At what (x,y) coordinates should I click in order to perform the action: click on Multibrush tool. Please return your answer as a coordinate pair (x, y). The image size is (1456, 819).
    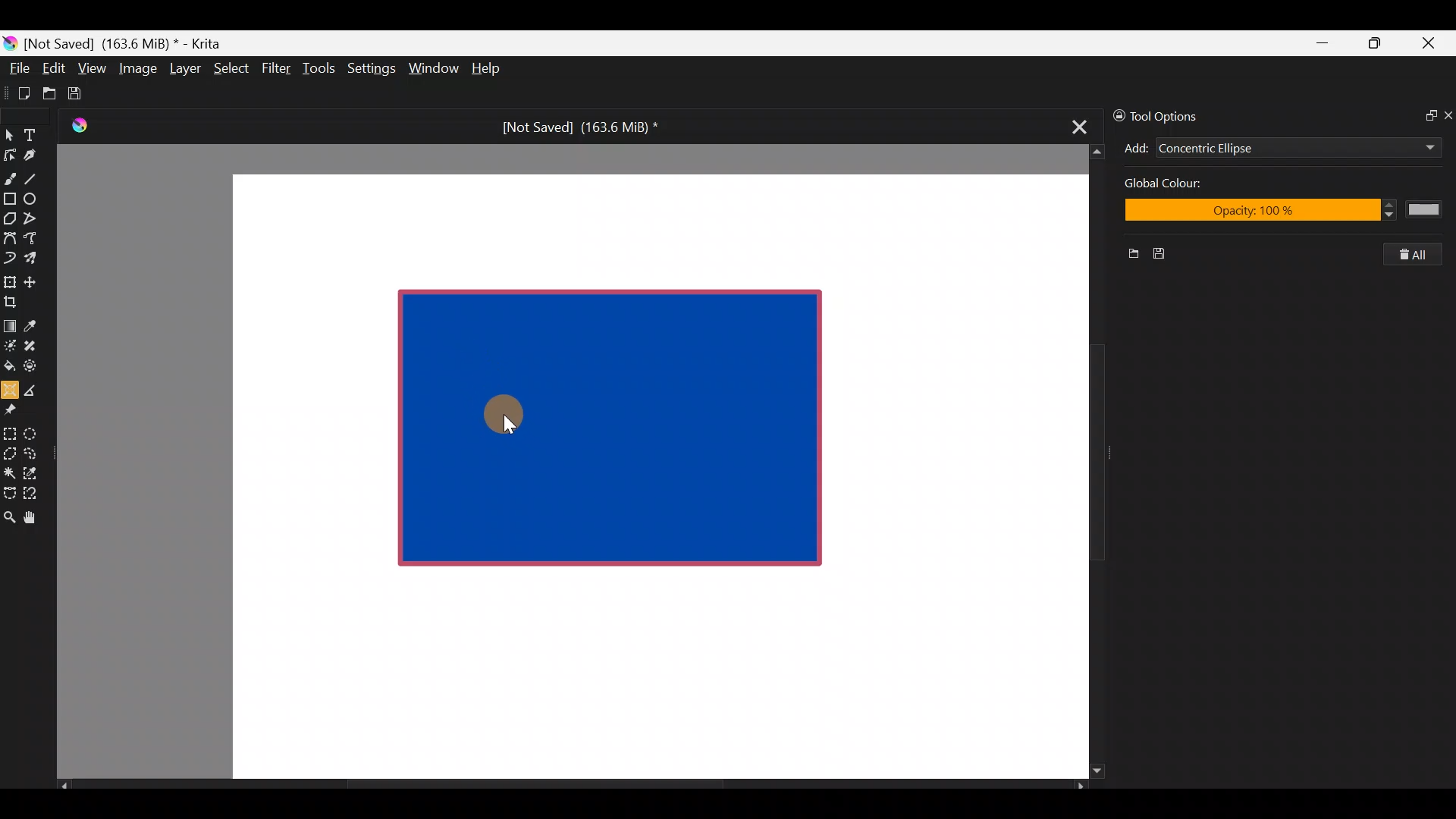
    Looking at the image, I should click on (36, 257).